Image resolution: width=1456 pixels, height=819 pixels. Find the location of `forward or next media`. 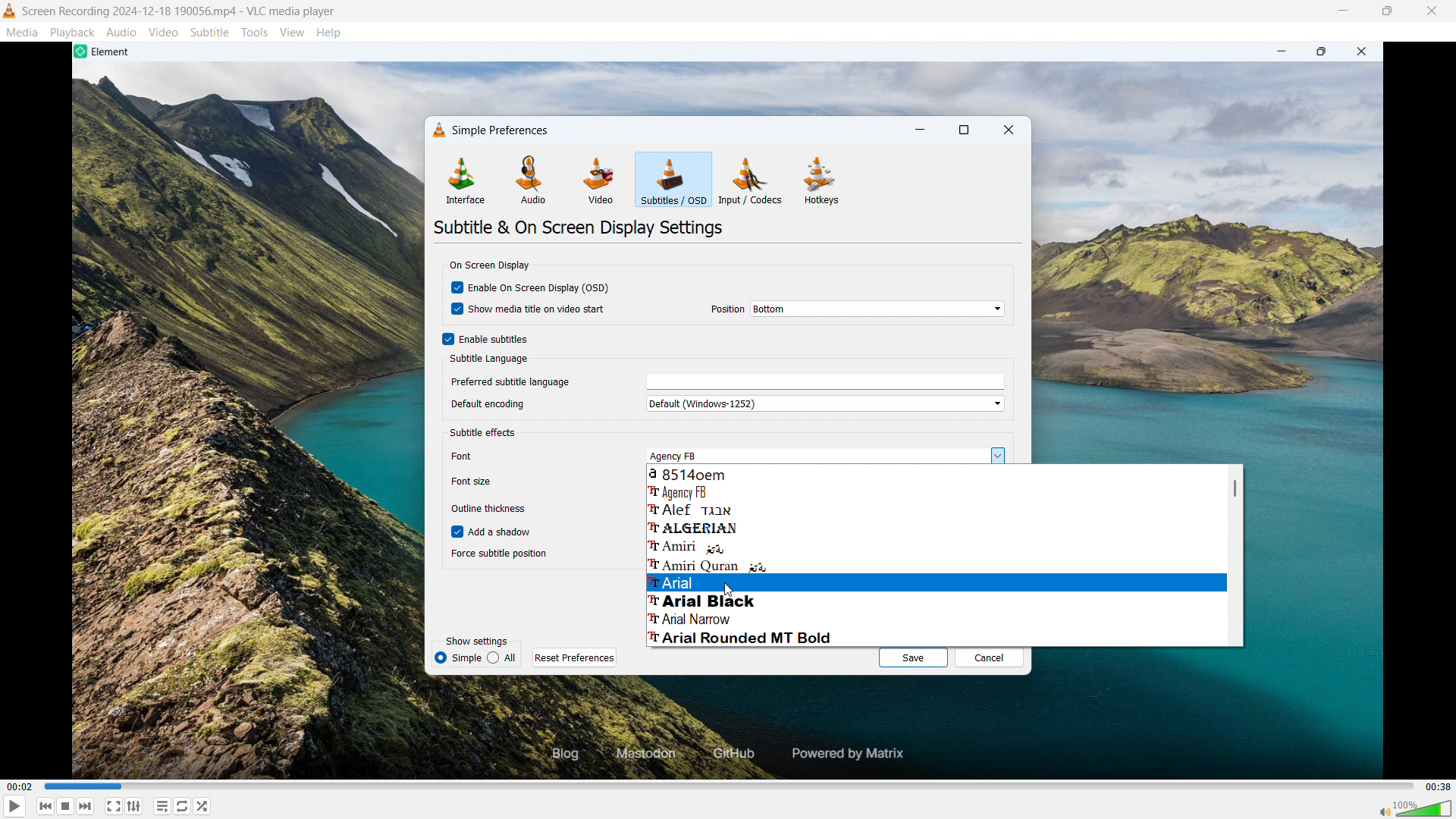

forward or next media is located at coordinates (85, 806).